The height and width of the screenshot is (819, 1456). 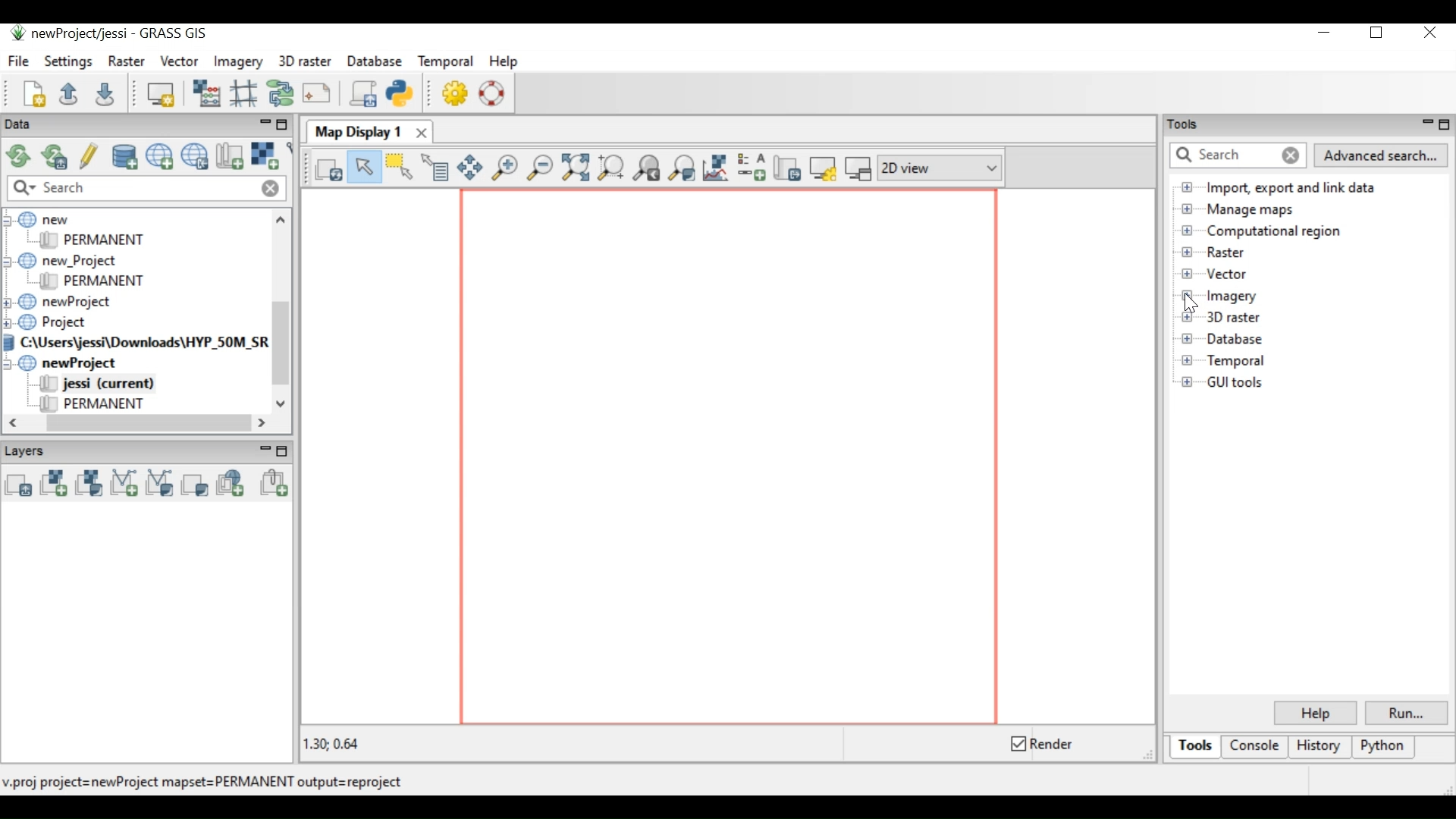 What do you see at coordinates (124, 483) in the screenshot?
I see `Add vector map layer` at bounding box center [124, 483].